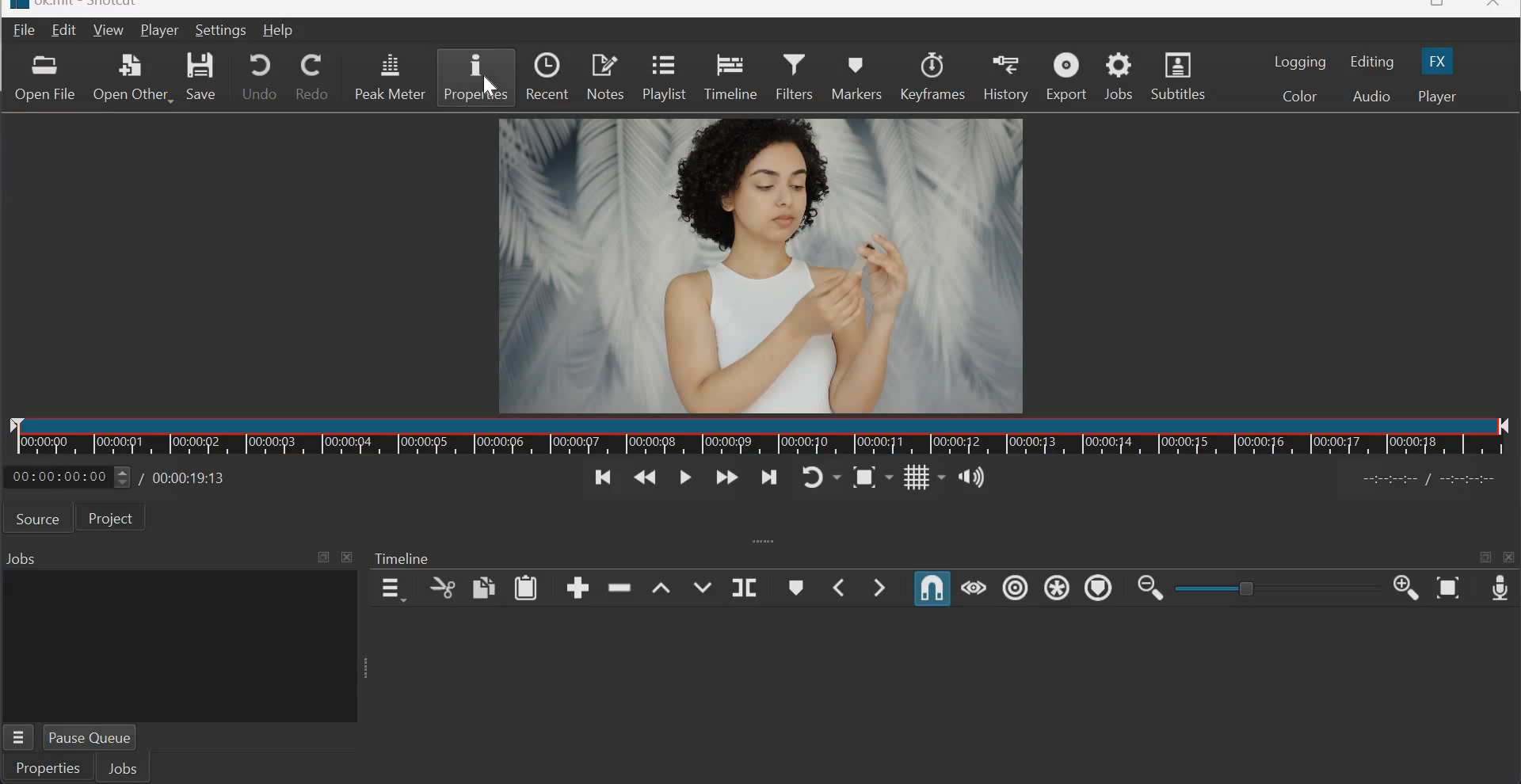 This screenshot has height=784, width=1521. What do you see at coordinates (17, 736) in the screenshot?
I see `Properties menu` at bounding box center [17, 736].